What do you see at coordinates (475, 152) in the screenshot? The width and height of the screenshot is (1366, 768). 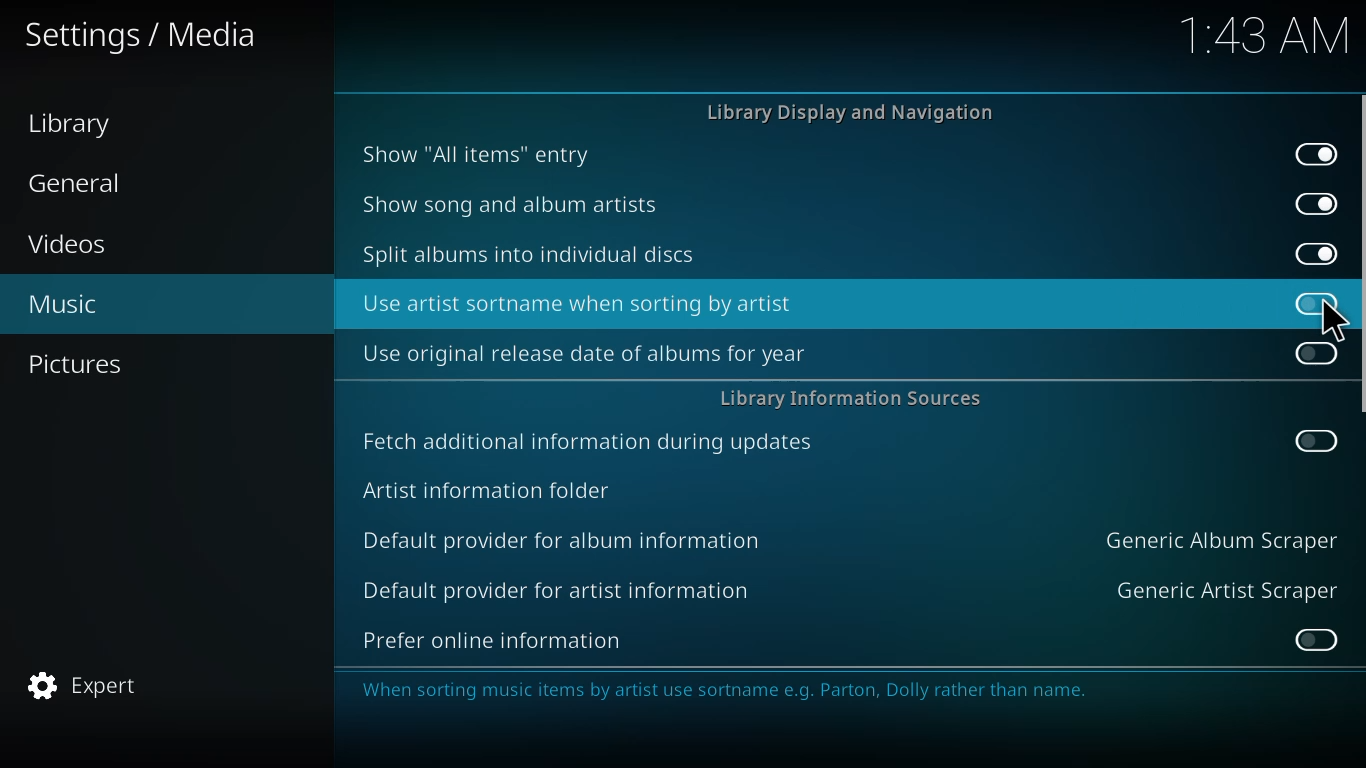 I see `show all items` at bounding box center [475, 152].